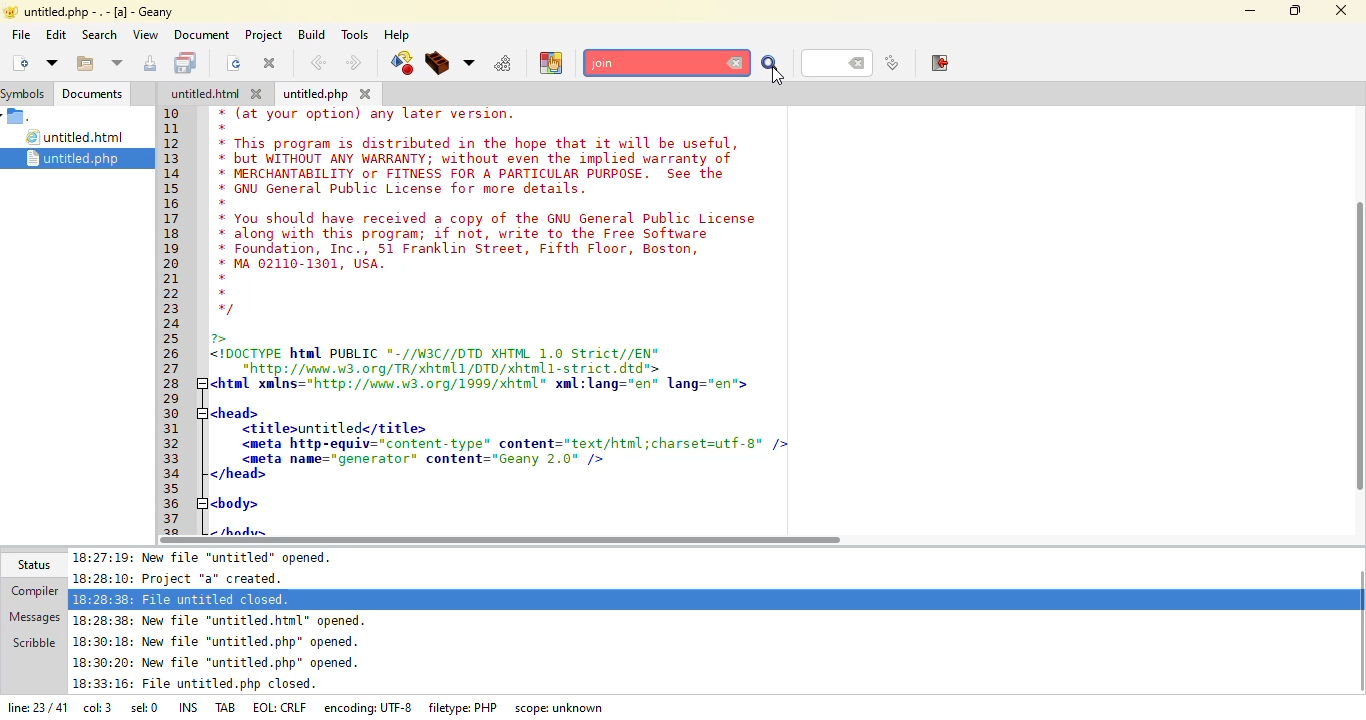  Describe the element at coordinates (78, 138) in the screenshot. I see `untitled.html` at that location.